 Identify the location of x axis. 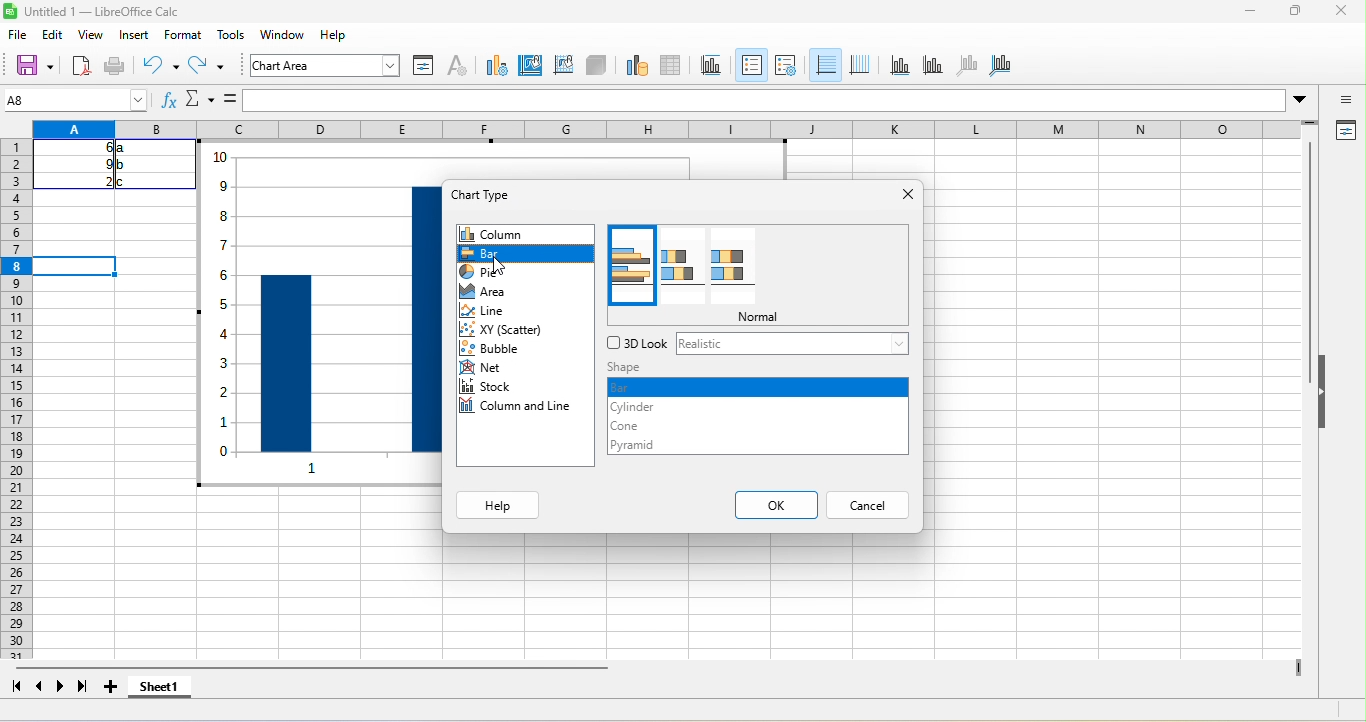
(898, 68).